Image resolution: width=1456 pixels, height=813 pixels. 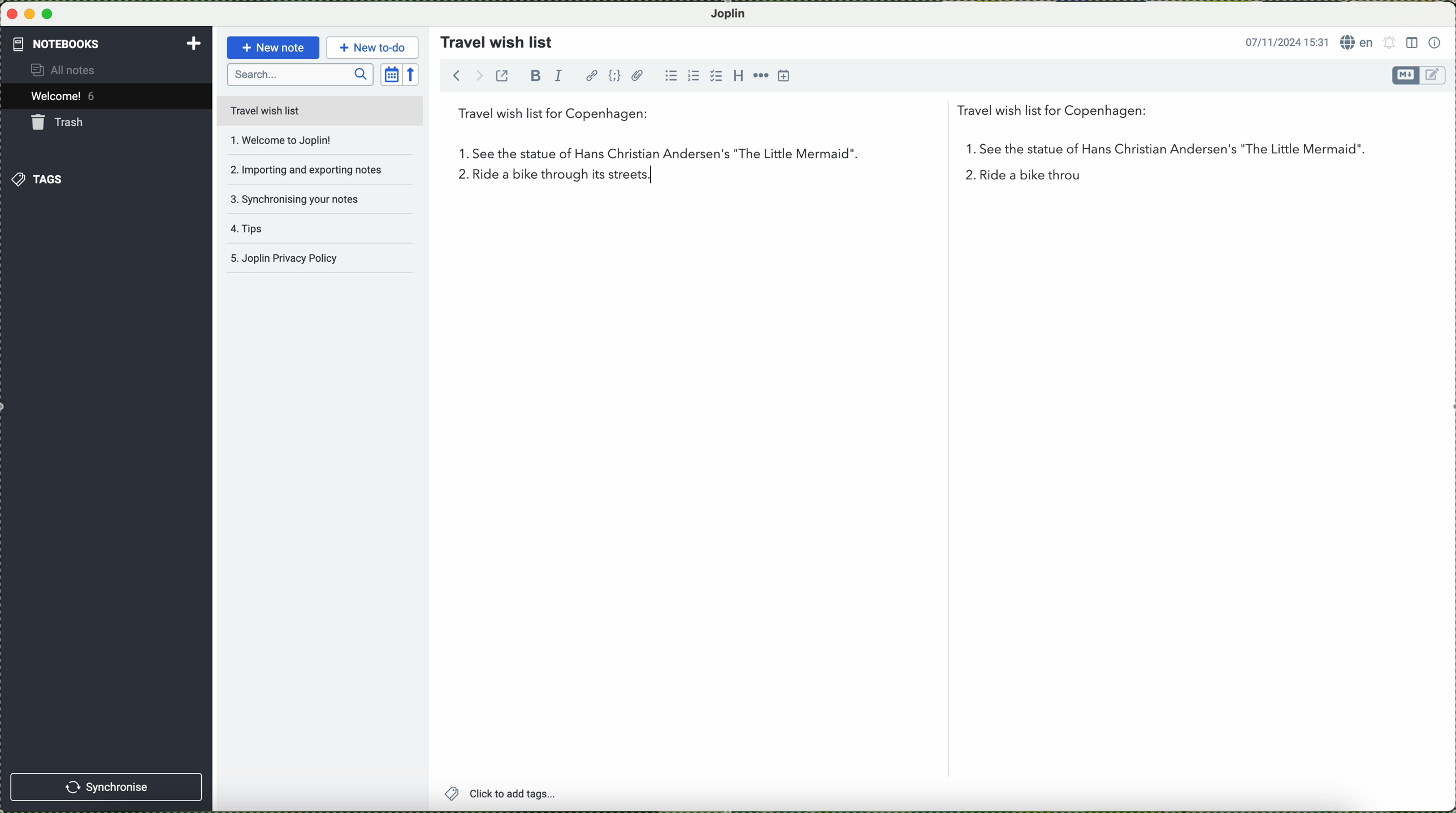 I want to click on tips, so click(x=298, y=233).